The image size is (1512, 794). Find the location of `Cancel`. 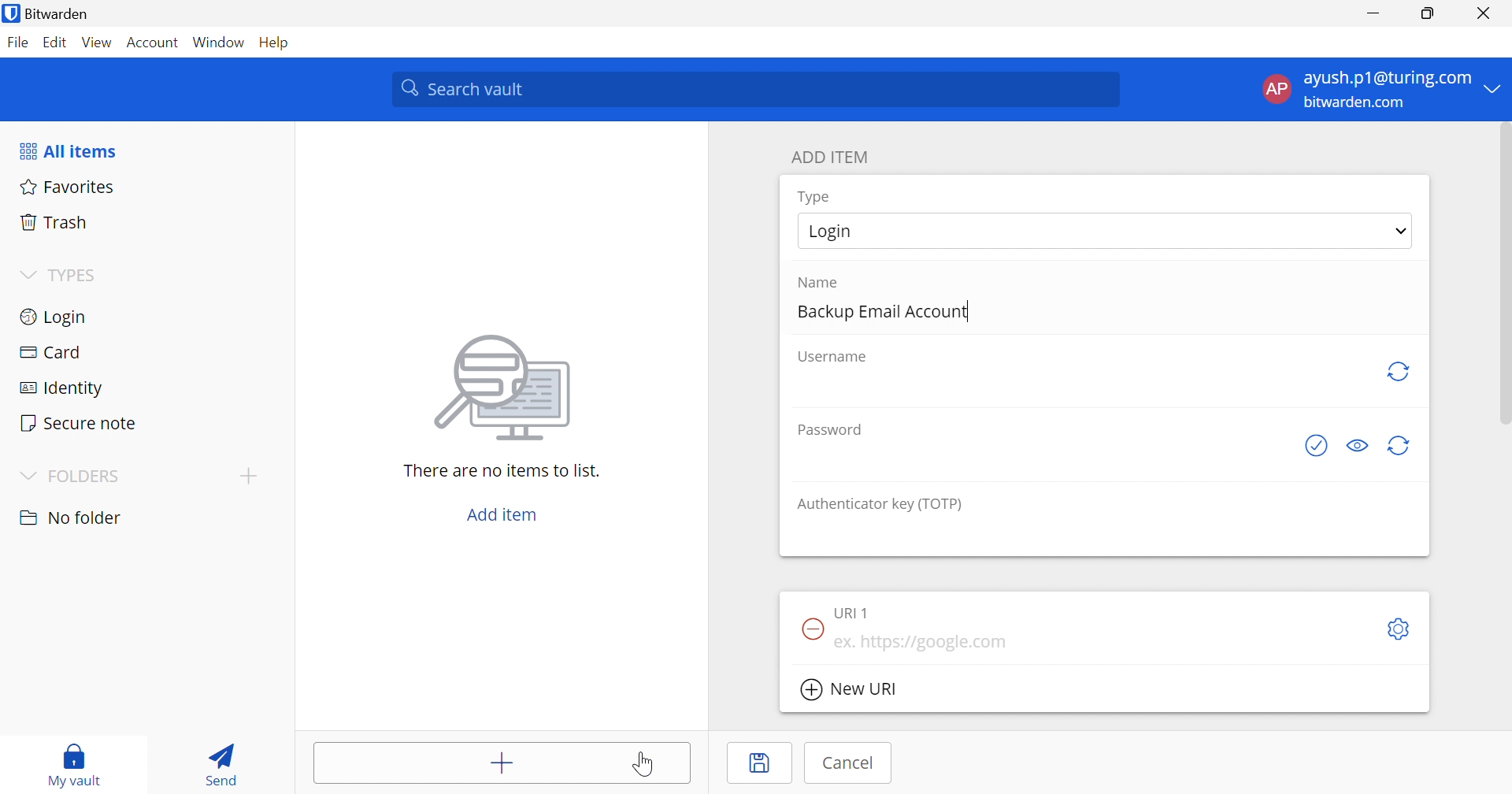

Cancel is located at coordinates (849, 763).